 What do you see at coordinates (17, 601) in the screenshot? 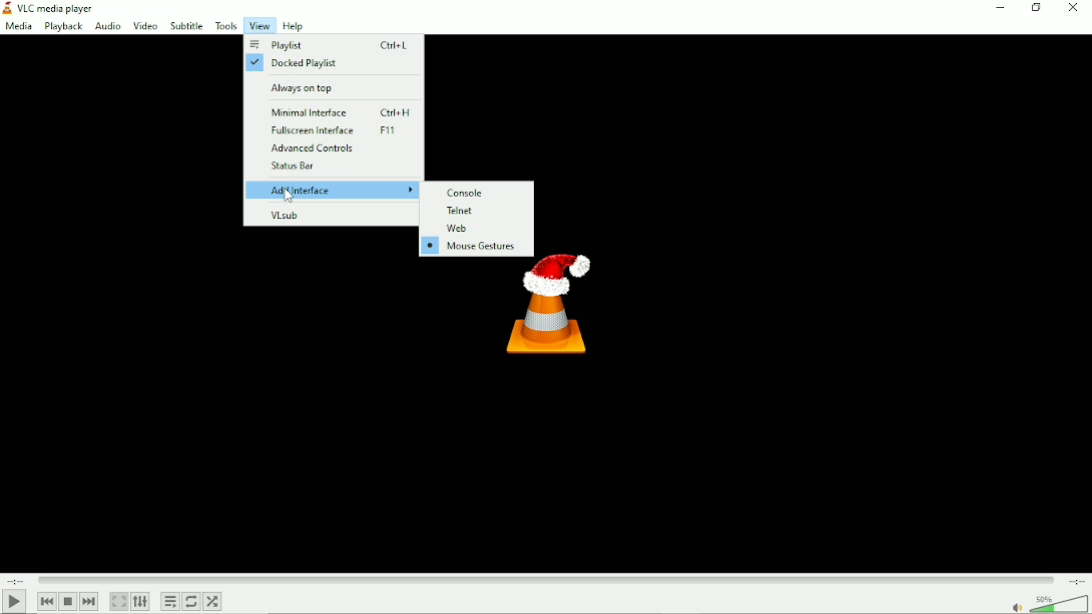
I see `Play` at bounding box center [17, 601].